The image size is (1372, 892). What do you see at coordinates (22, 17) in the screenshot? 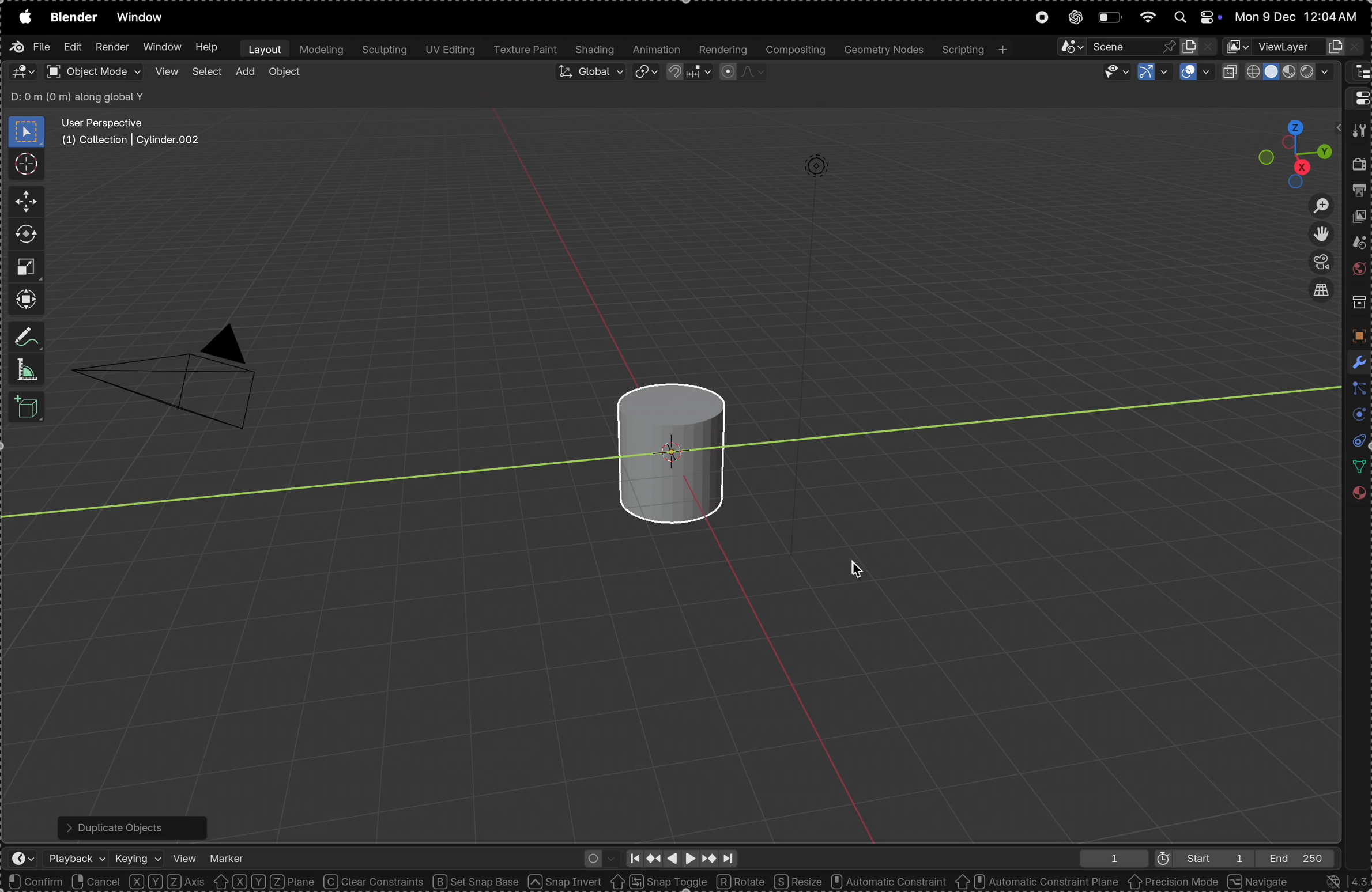
I see `apple menu` at bounding box center [22, 17].